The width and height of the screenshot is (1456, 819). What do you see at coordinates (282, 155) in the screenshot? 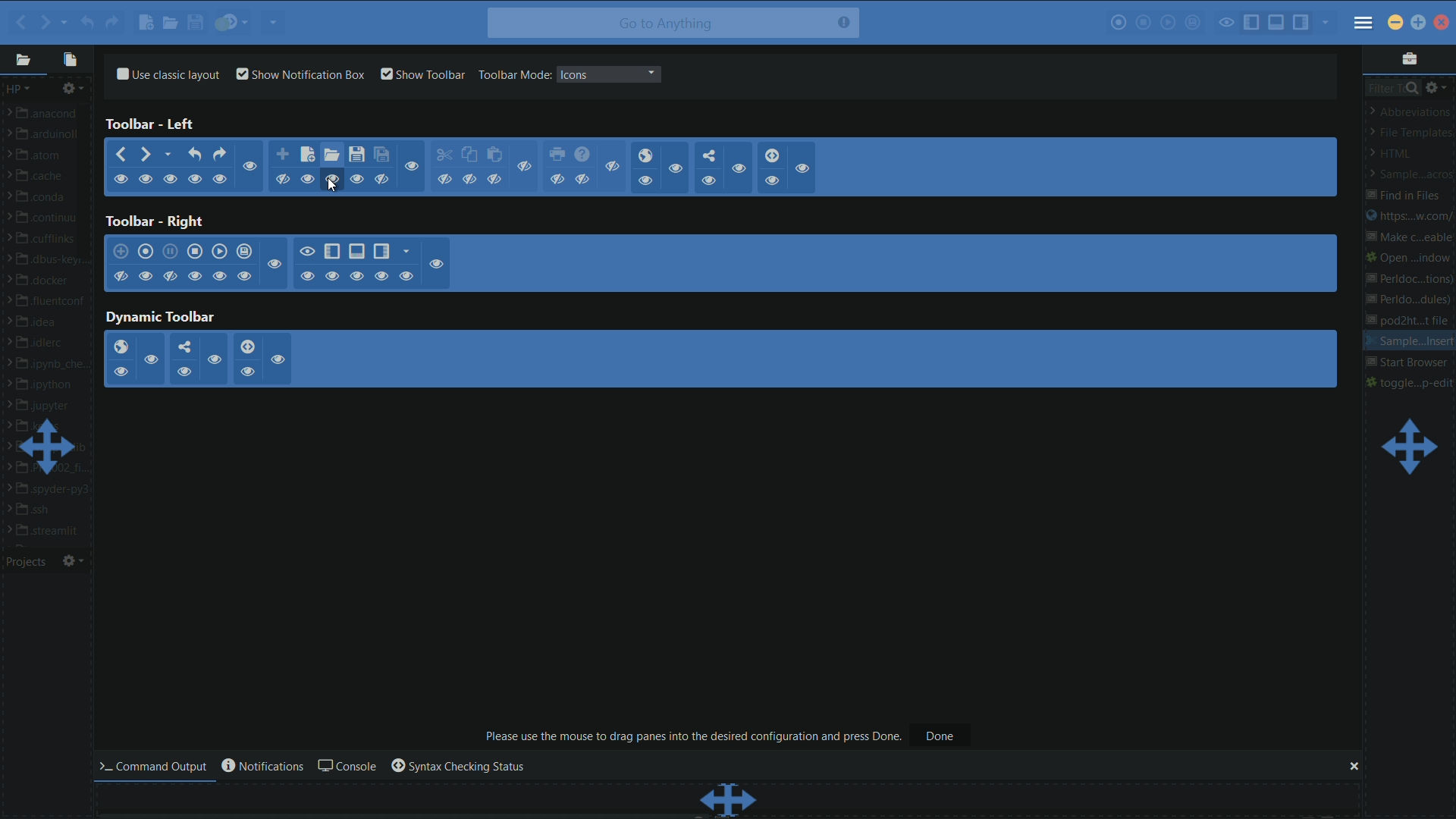
I see `new tab` at bounding box center [282, 155].